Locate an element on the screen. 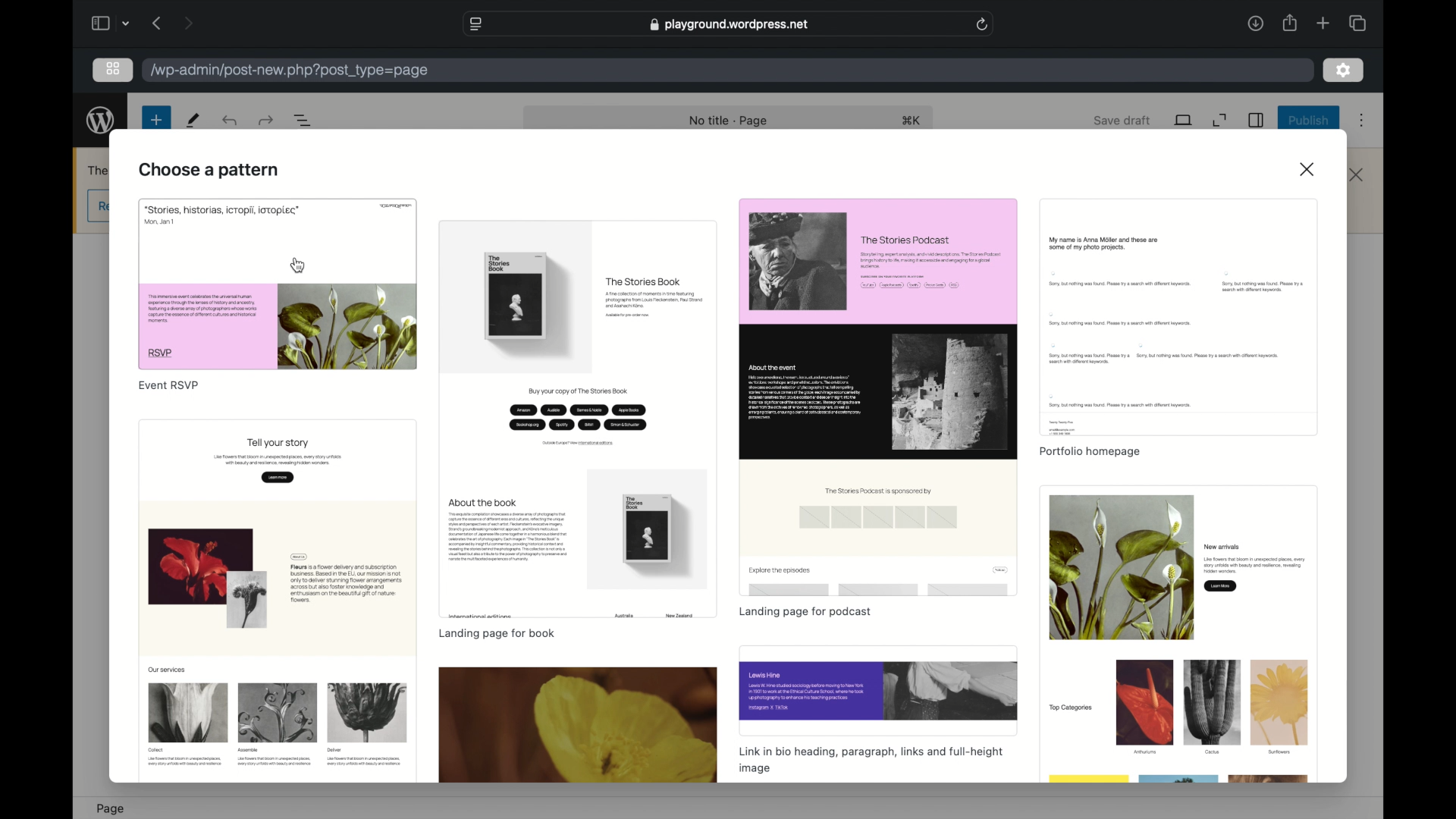 Image resolution: width=1456 pixels, height=819 pixels. landing page for podcast is located at coordinates (805, 611).